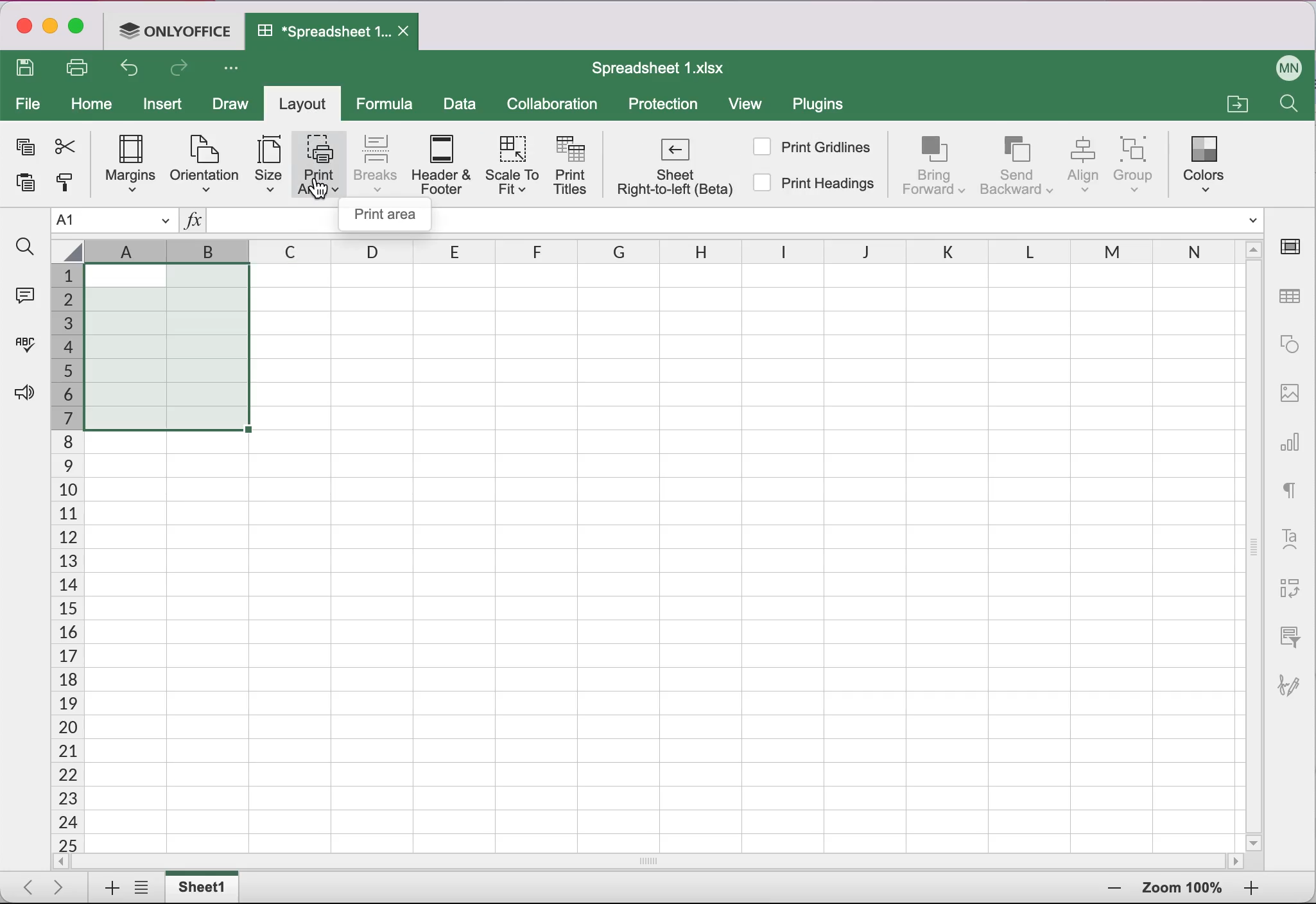 The width and height of the screenshot is (1316, 904). What do you see at coordinates (82, 67) in the screenshot?
I see `print` at bounding box center [82, 67].